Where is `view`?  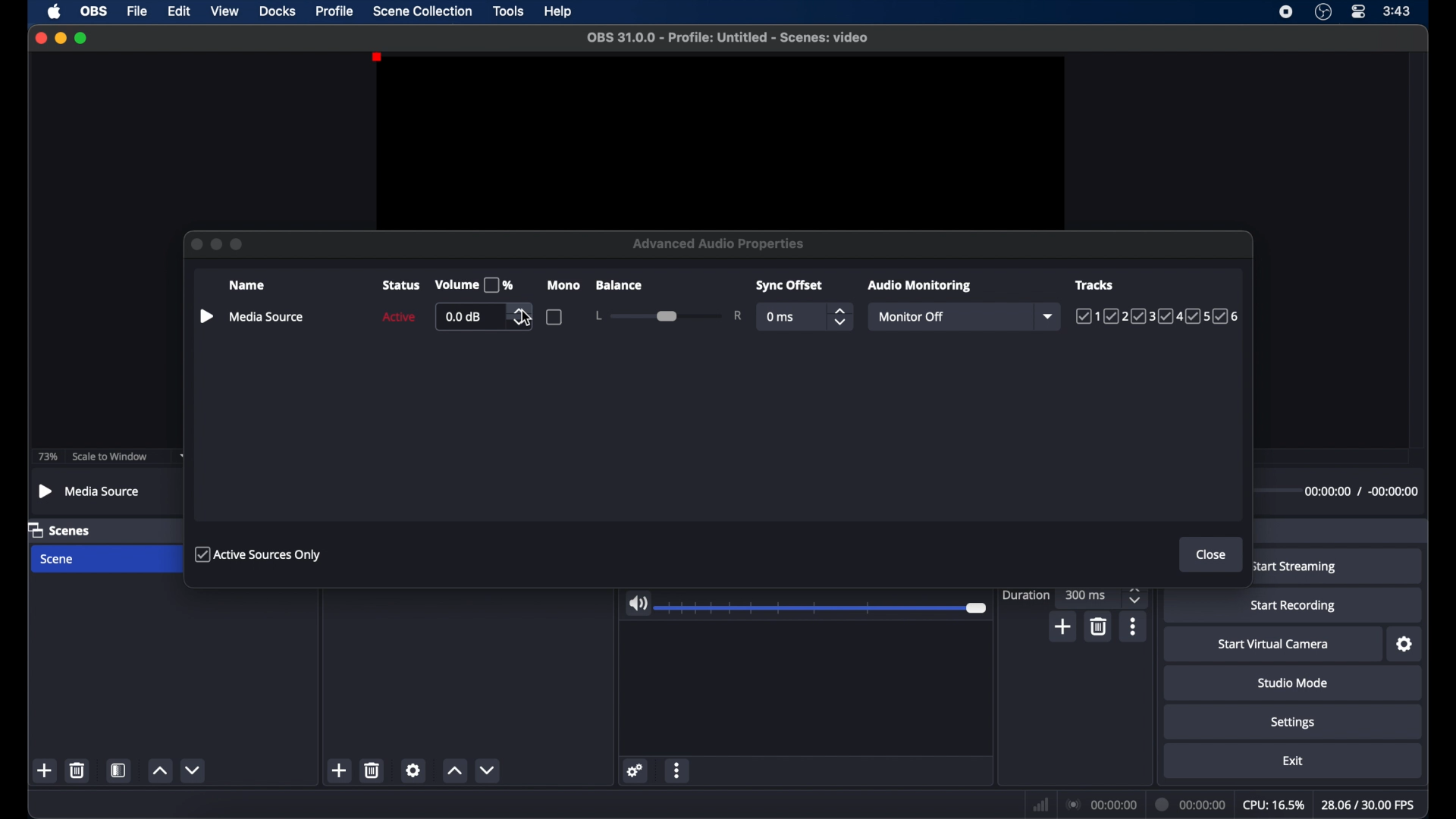
view is located at coordinates (224, 10).